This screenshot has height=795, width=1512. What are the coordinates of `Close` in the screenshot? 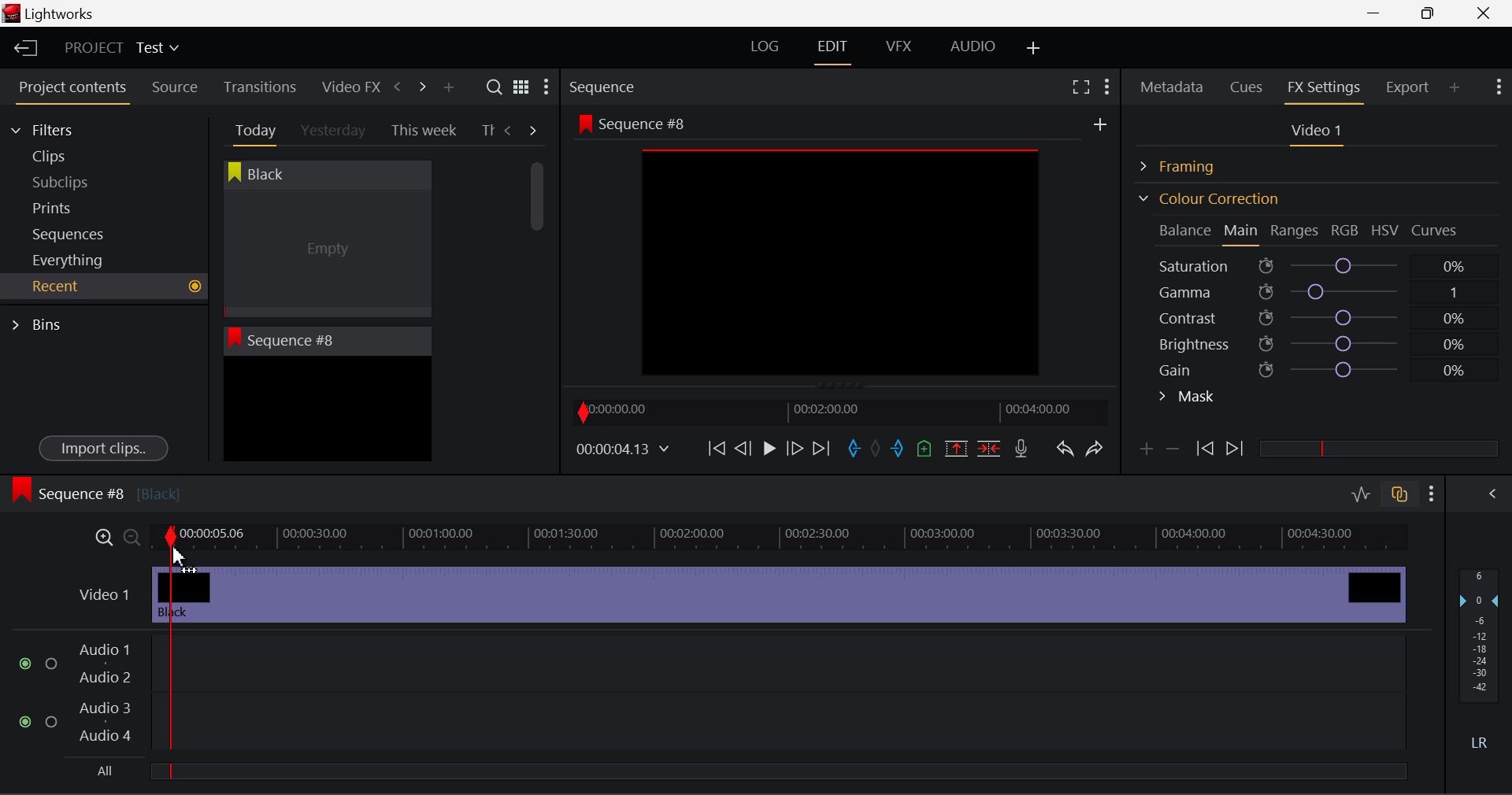 It's located at (1487, 13).